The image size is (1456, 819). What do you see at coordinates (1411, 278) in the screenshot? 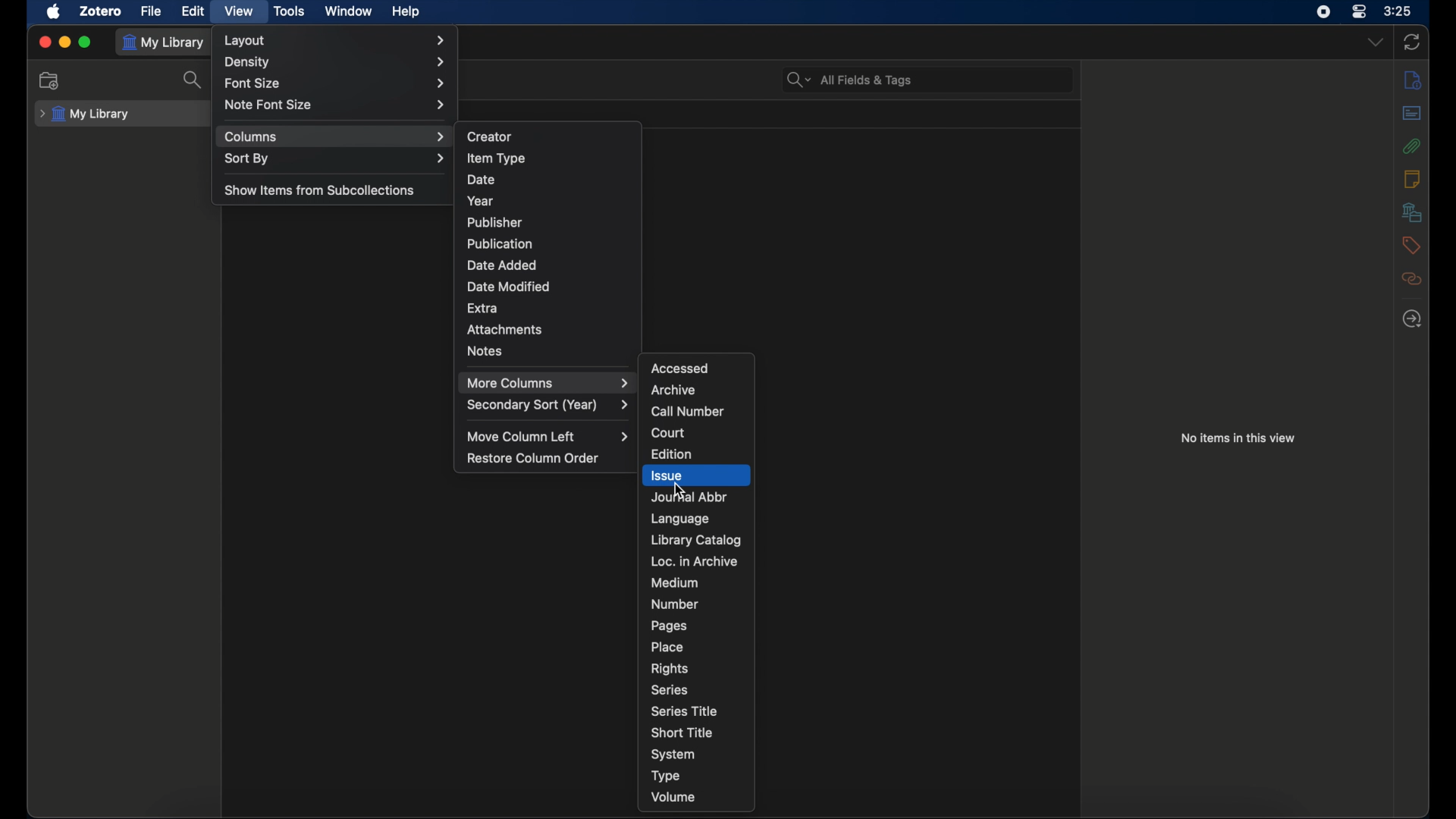
I see `related` at bounding box center [1411, 278].